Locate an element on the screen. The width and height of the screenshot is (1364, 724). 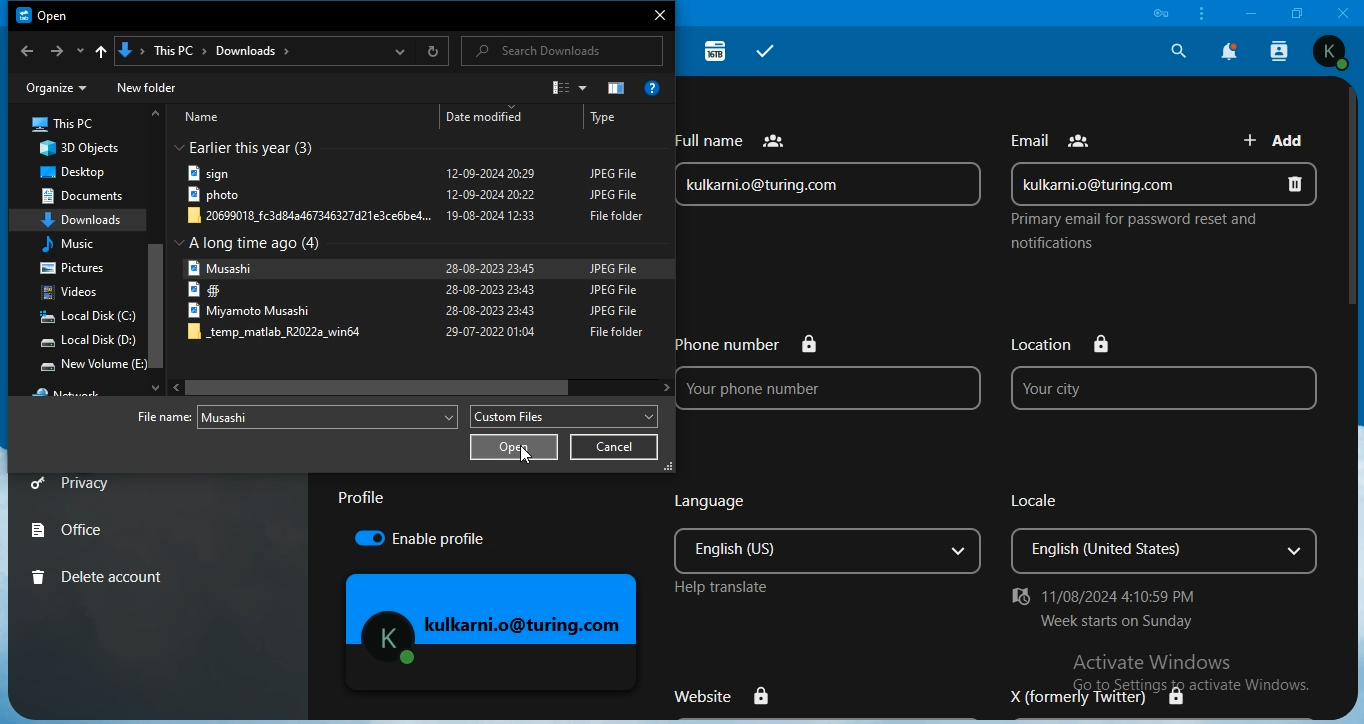
cursor is located at coordinates (522, 457).